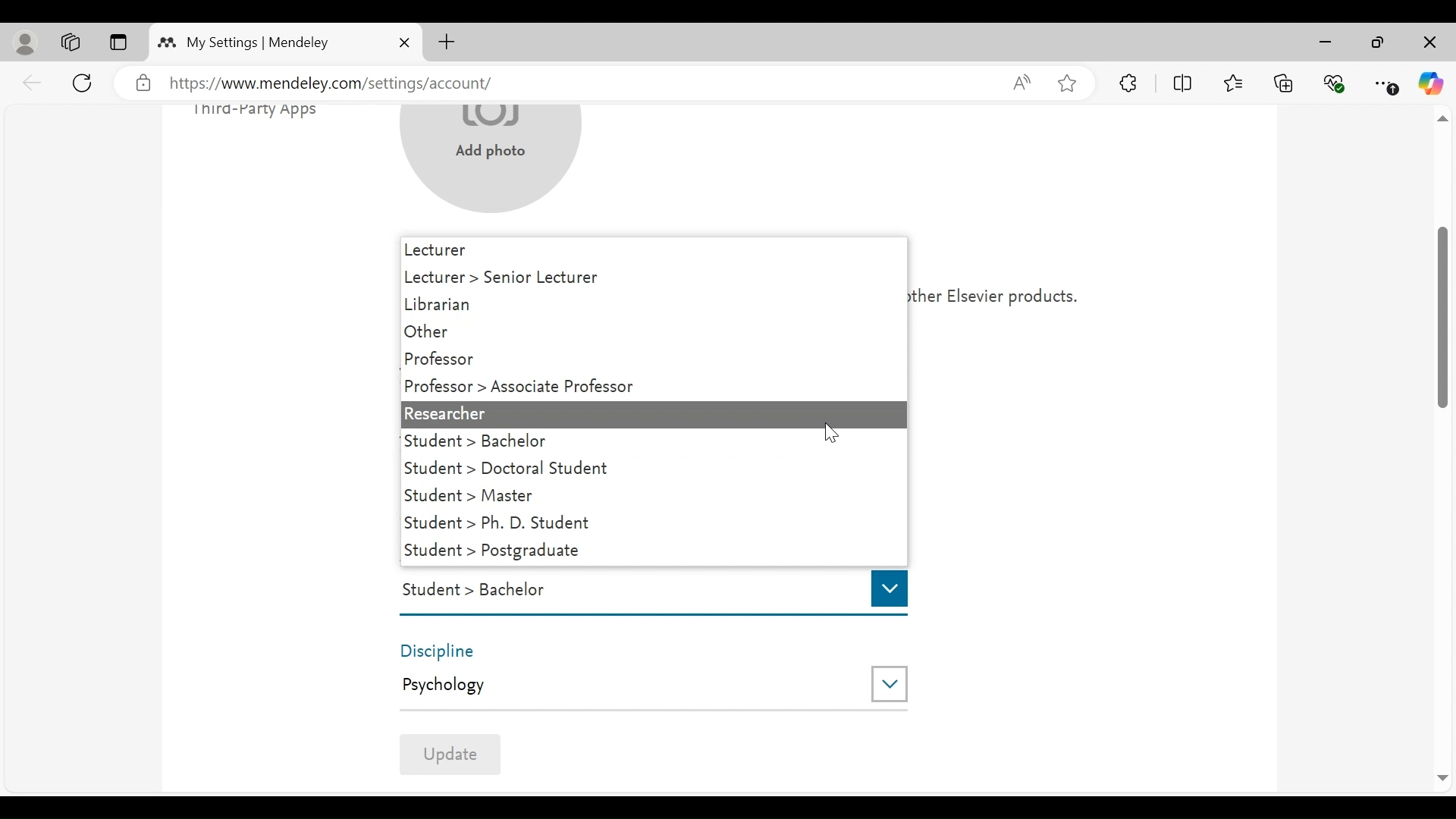  I want to click on Librarian, so click(650, 304).